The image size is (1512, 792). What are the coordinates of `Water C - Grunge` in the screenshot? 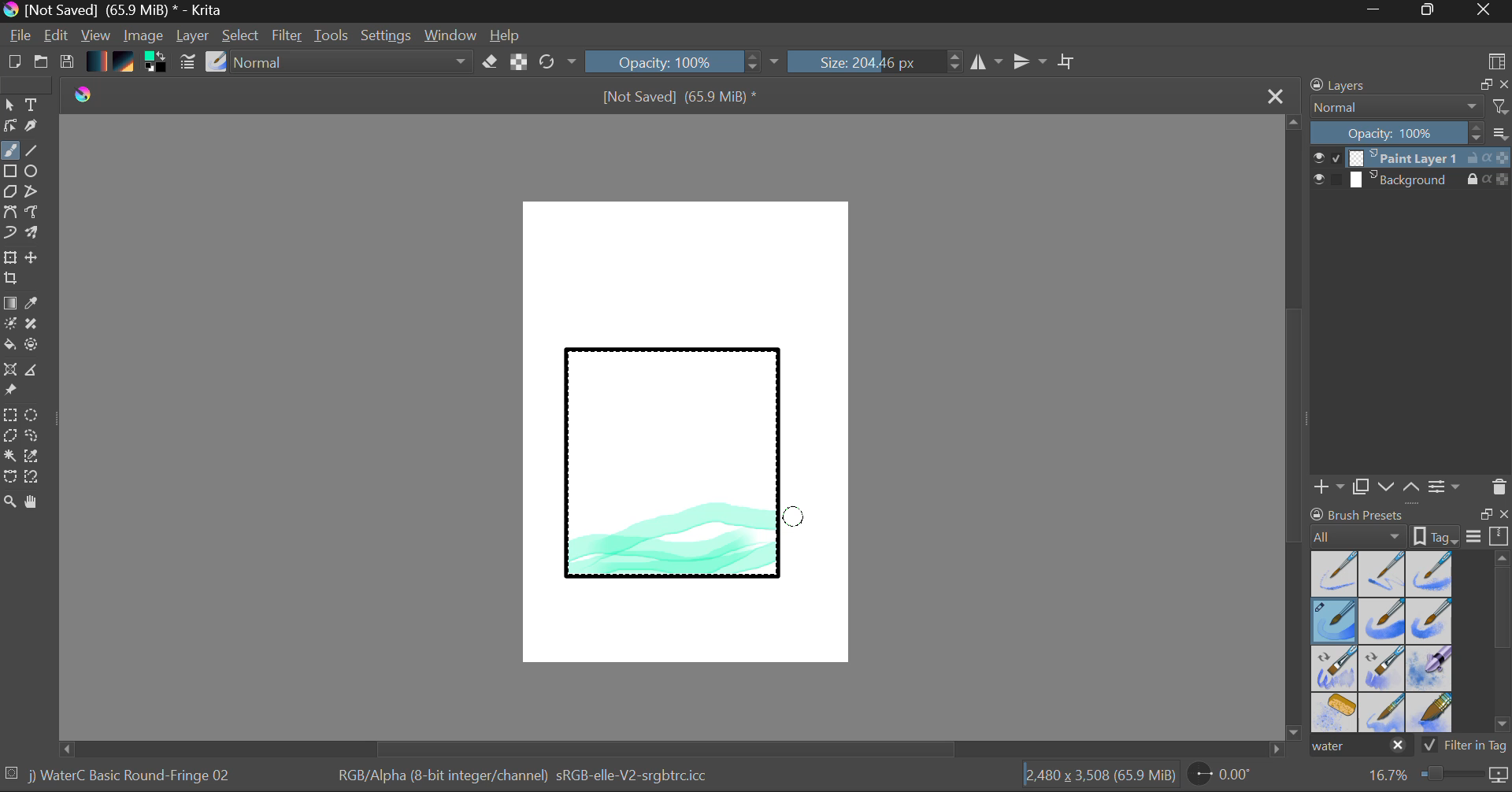 It's located at (1430, 621).